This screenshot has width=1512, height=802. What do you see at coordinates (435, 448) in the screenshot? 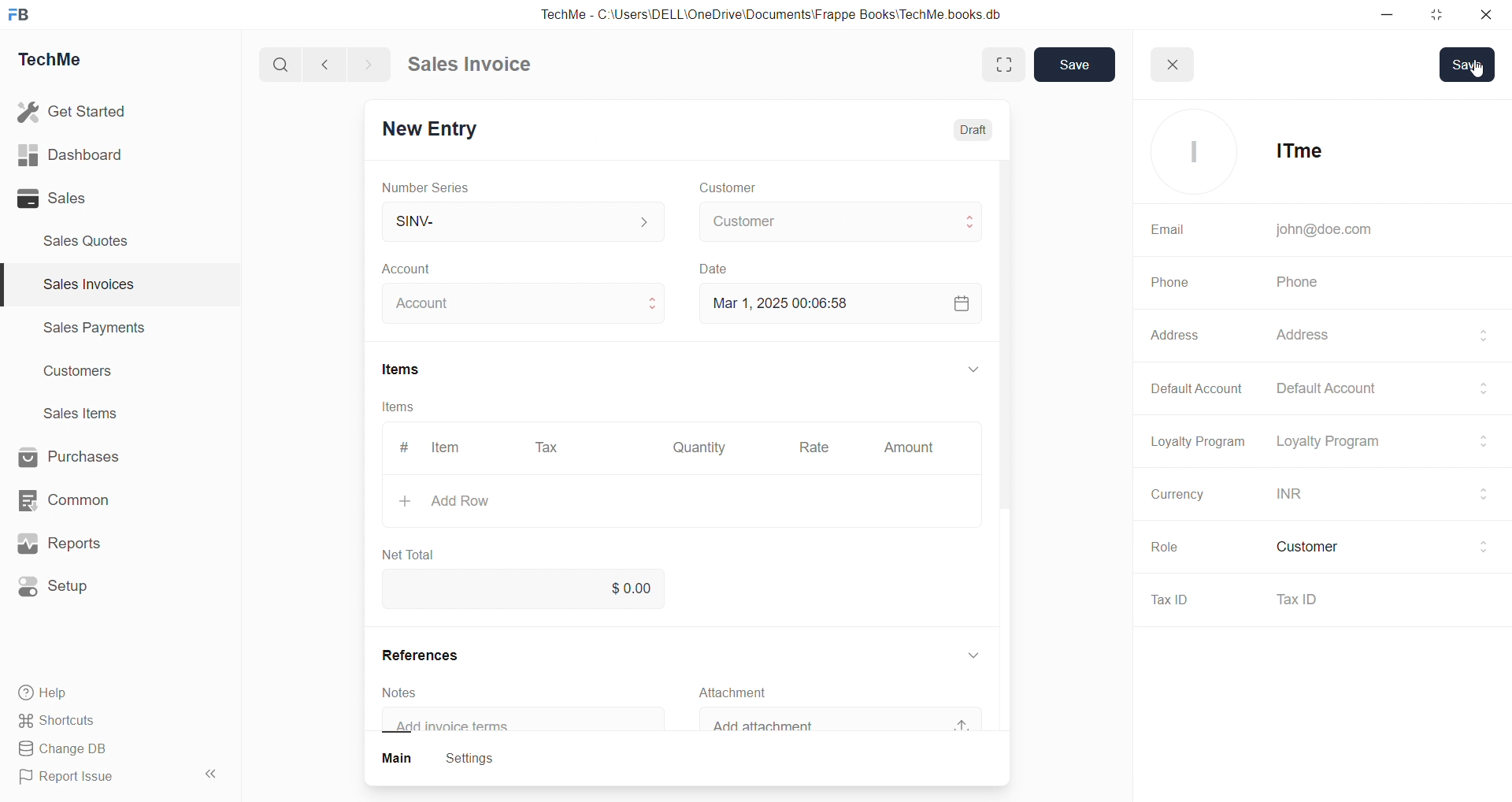
I see `# Item` at bounding box center [435, 448].